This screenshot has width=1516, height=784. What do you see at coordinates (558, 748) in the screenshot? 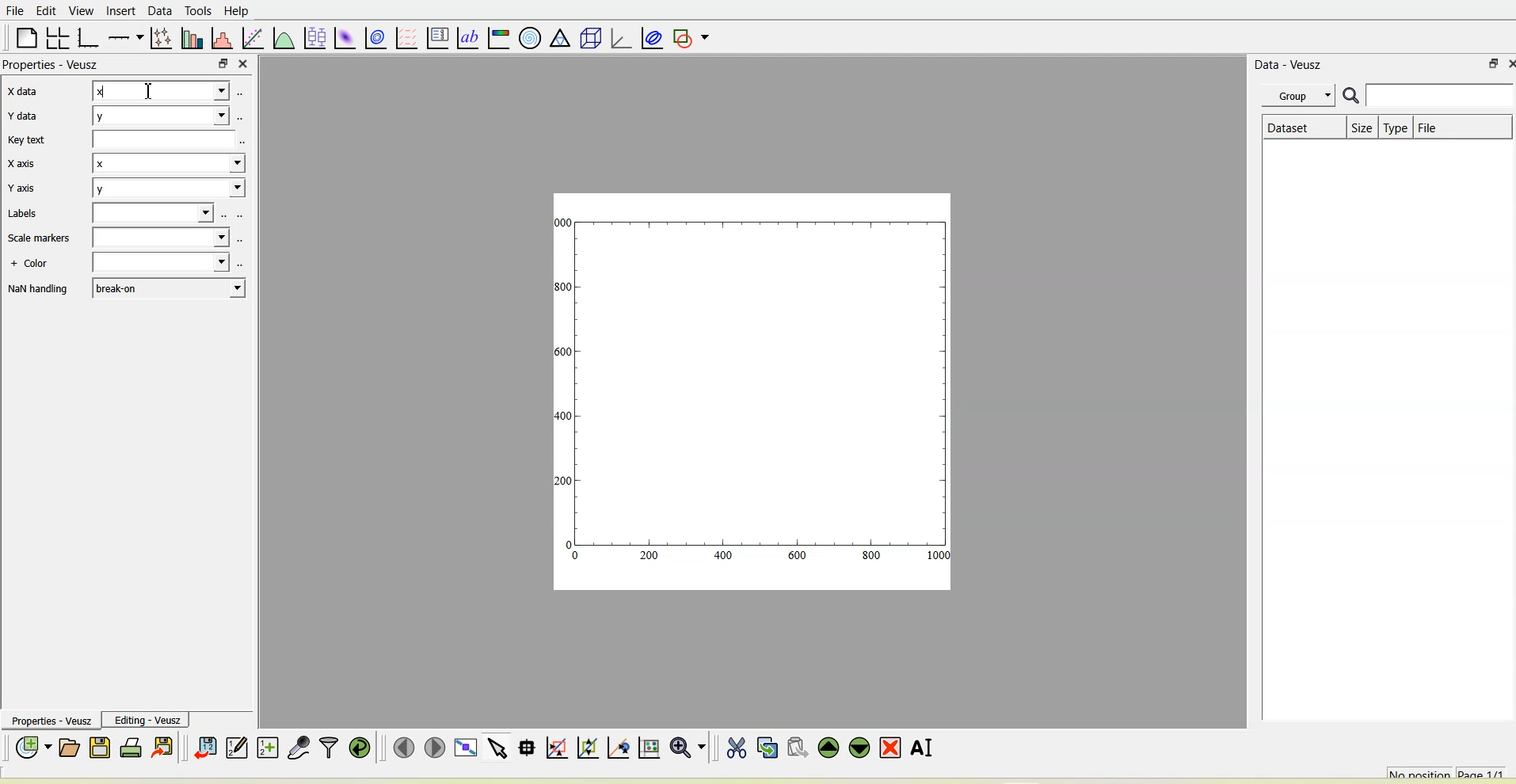
I see `Click or draw a rectangle to zoom graph axes` at bounding box center [558, 748].